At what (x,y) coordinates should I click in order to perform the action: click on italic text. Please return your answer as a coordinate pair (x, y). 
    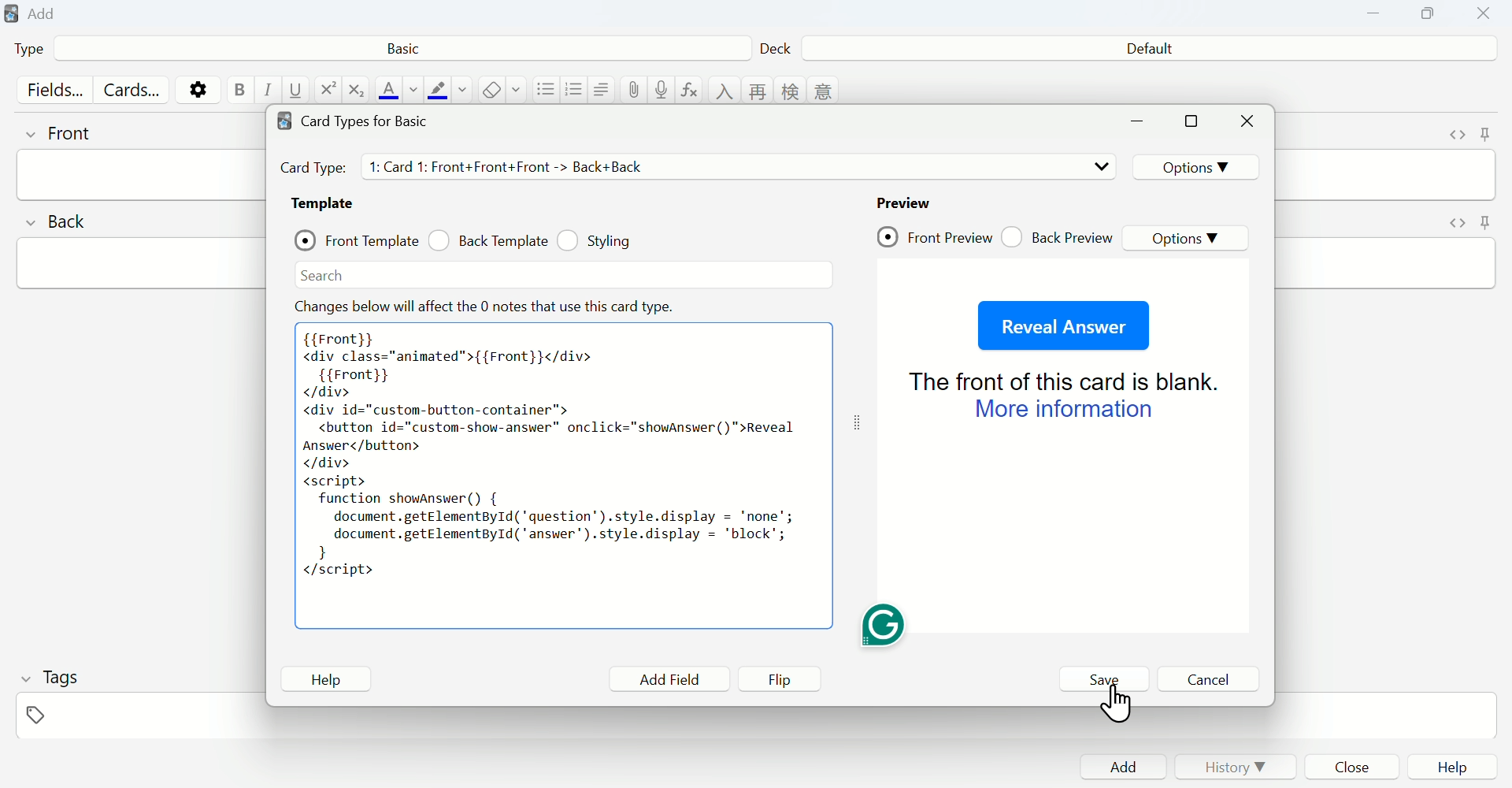
    Looking at the image, I should click on (268, 90).